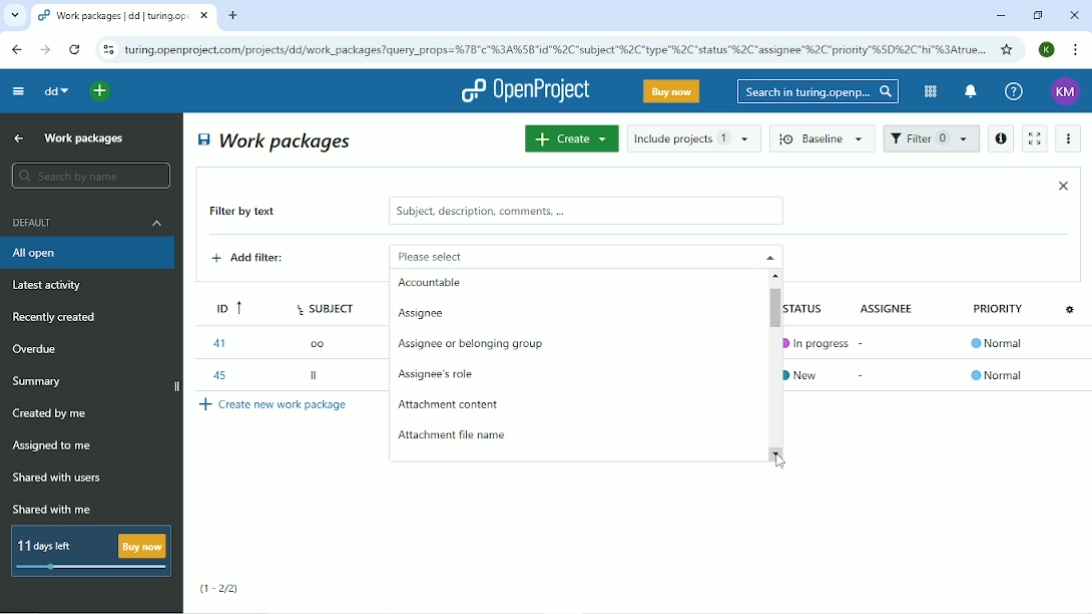 Image resolution: width=1092 pixels, height=614 pixels. I want to click on Account, so click(1066, 92).